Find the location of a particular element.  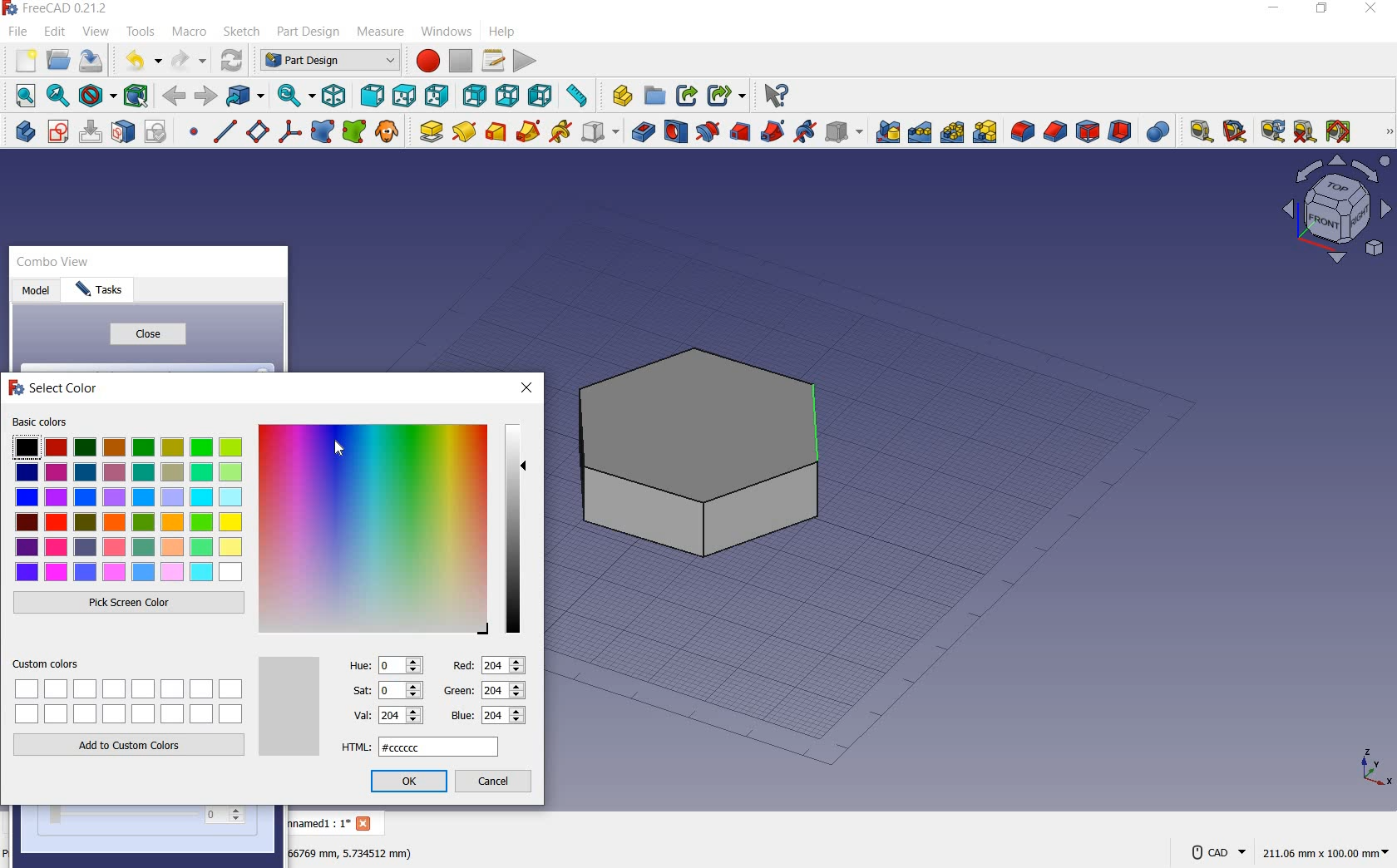

execute macro is located at coordinates (526, 62).